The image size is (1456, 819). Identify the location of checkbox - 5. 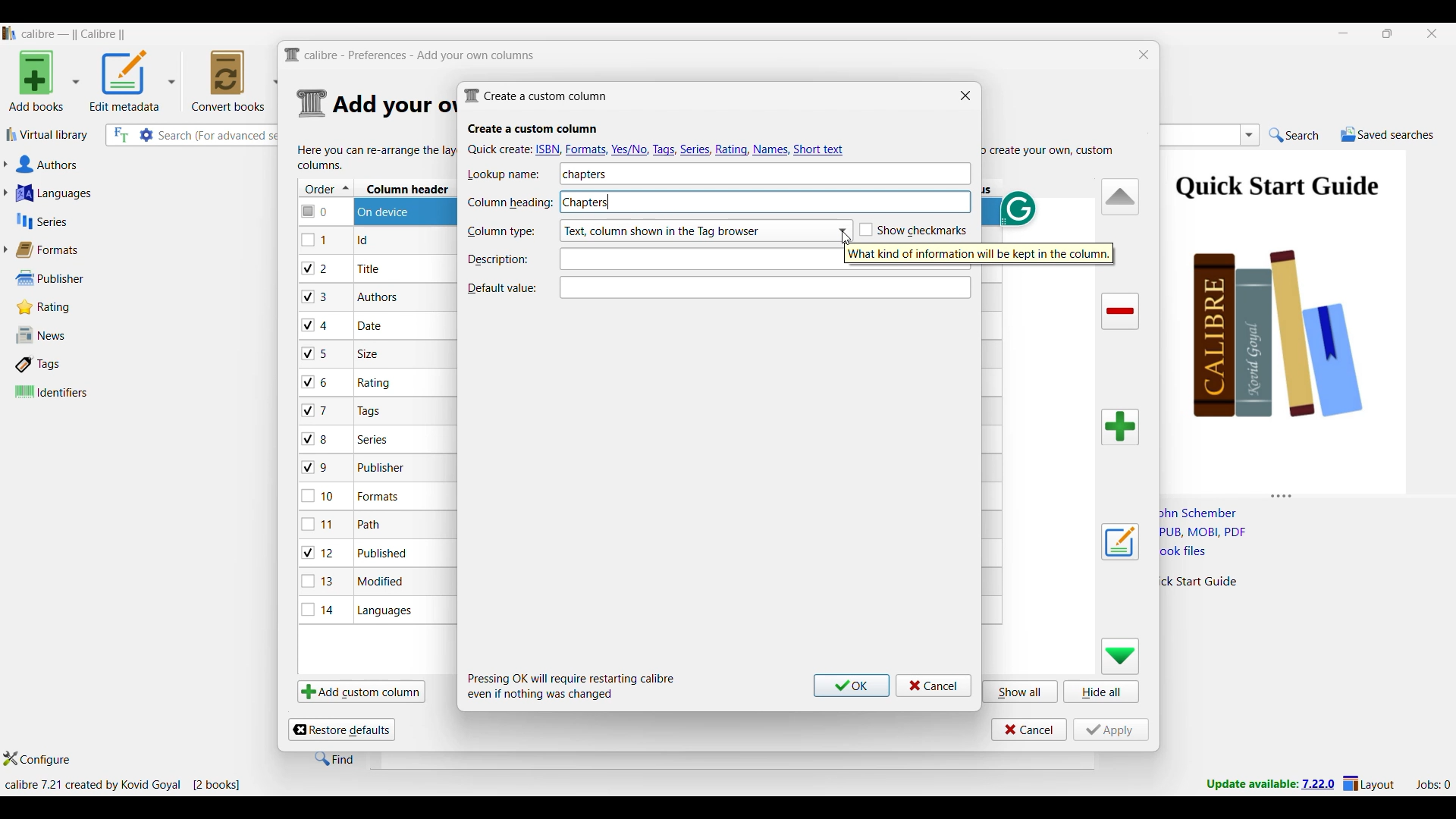
(321, 353).